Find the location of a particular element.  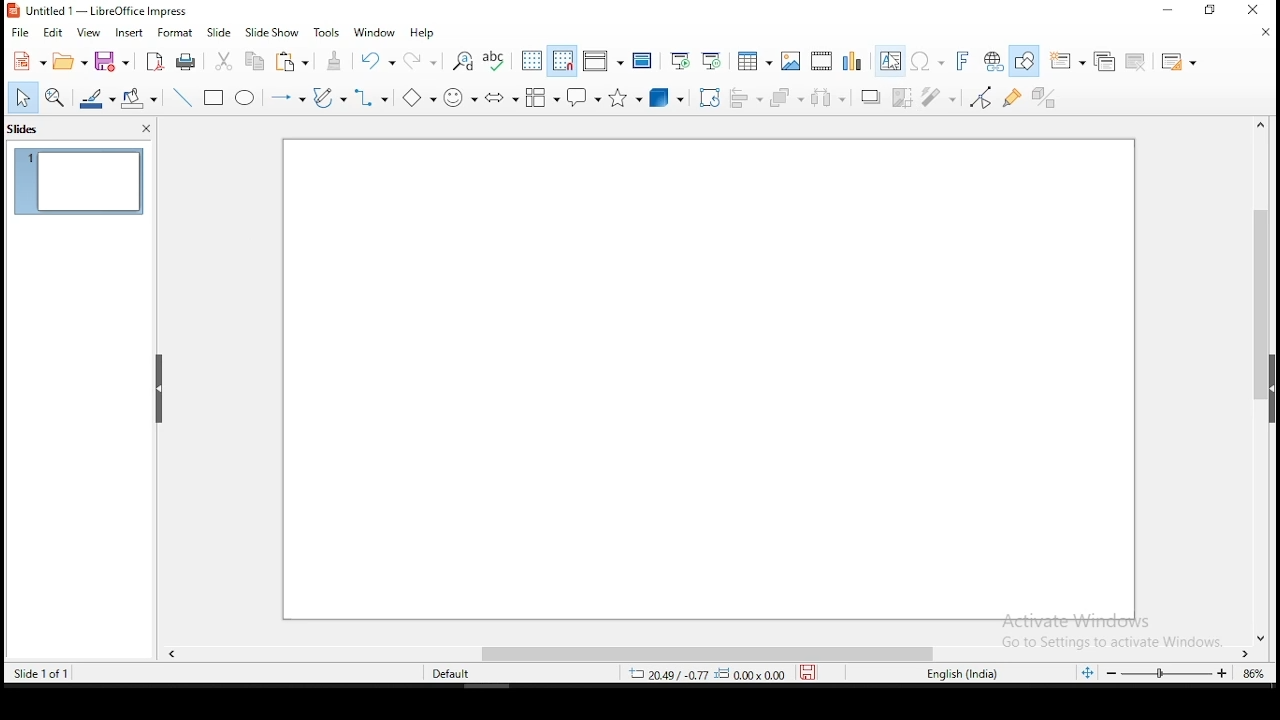

lines and arrows is located at coordinates (288, 97).